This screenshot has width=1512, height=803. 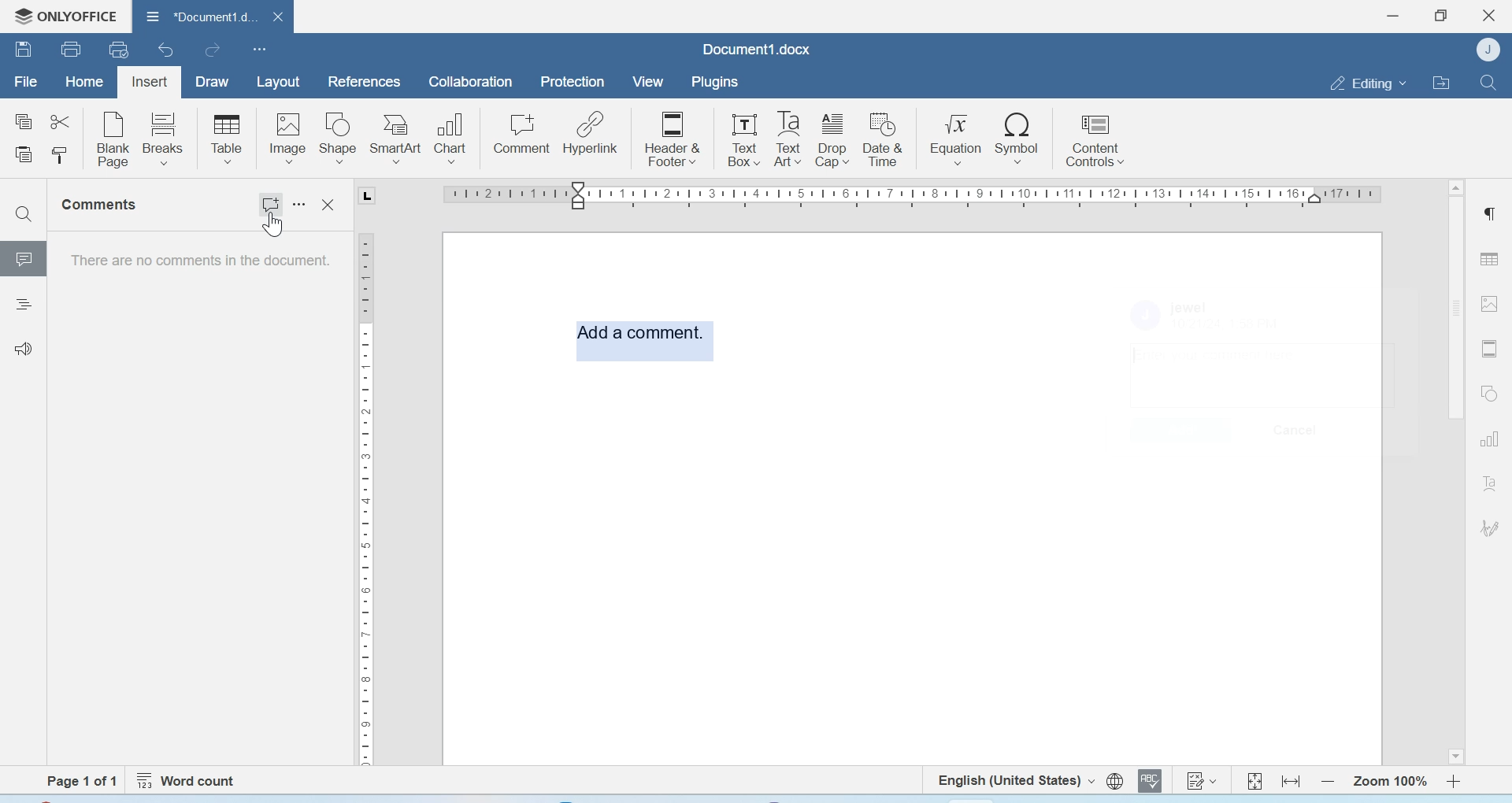 What do you see at coordinates (260, 49) in the screenshot?
I see `customize quick access toolbar` at bounding box center [260, 49].